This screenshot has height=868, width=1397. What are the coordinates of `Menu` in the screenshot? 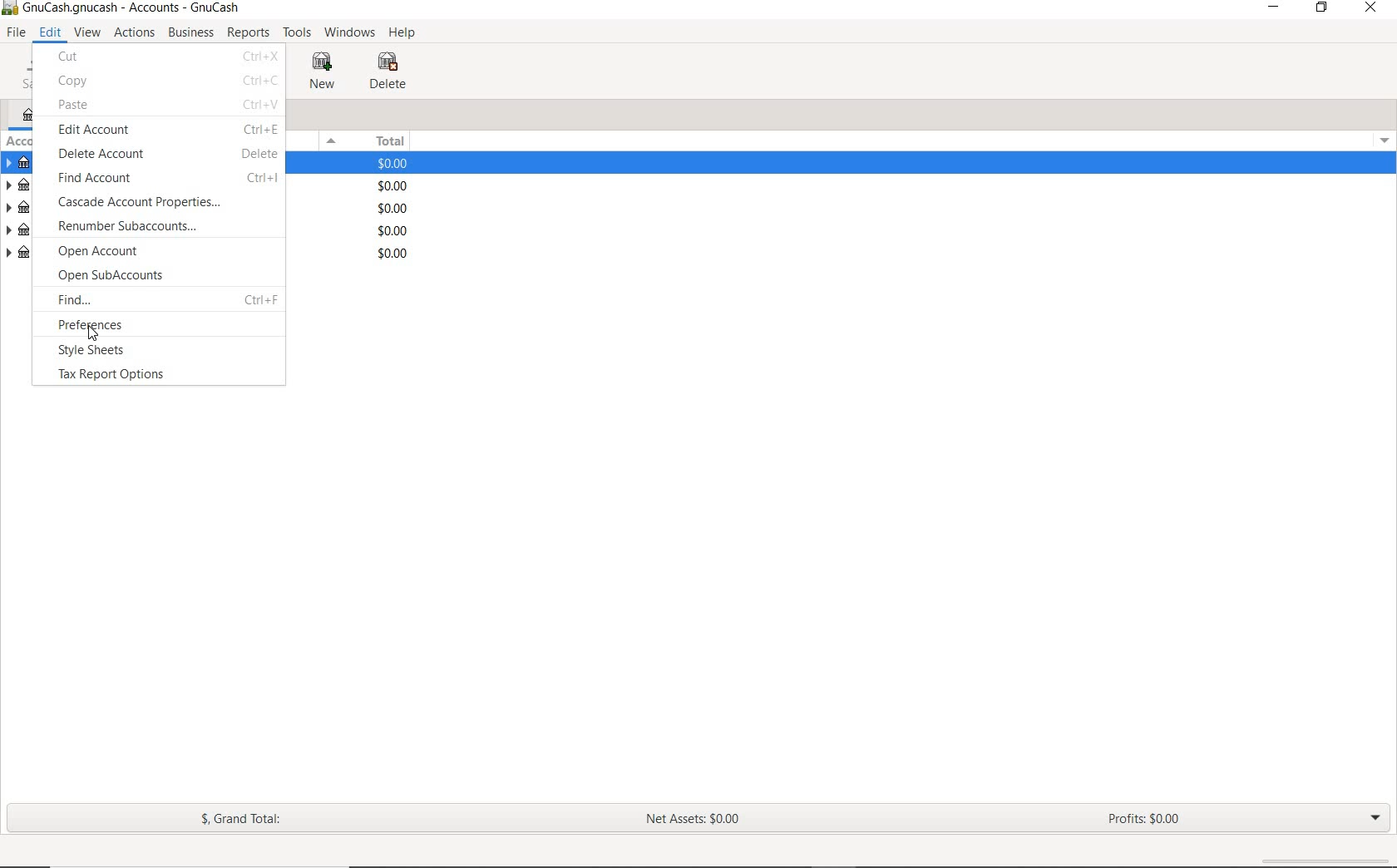 It's located at (332, 141).